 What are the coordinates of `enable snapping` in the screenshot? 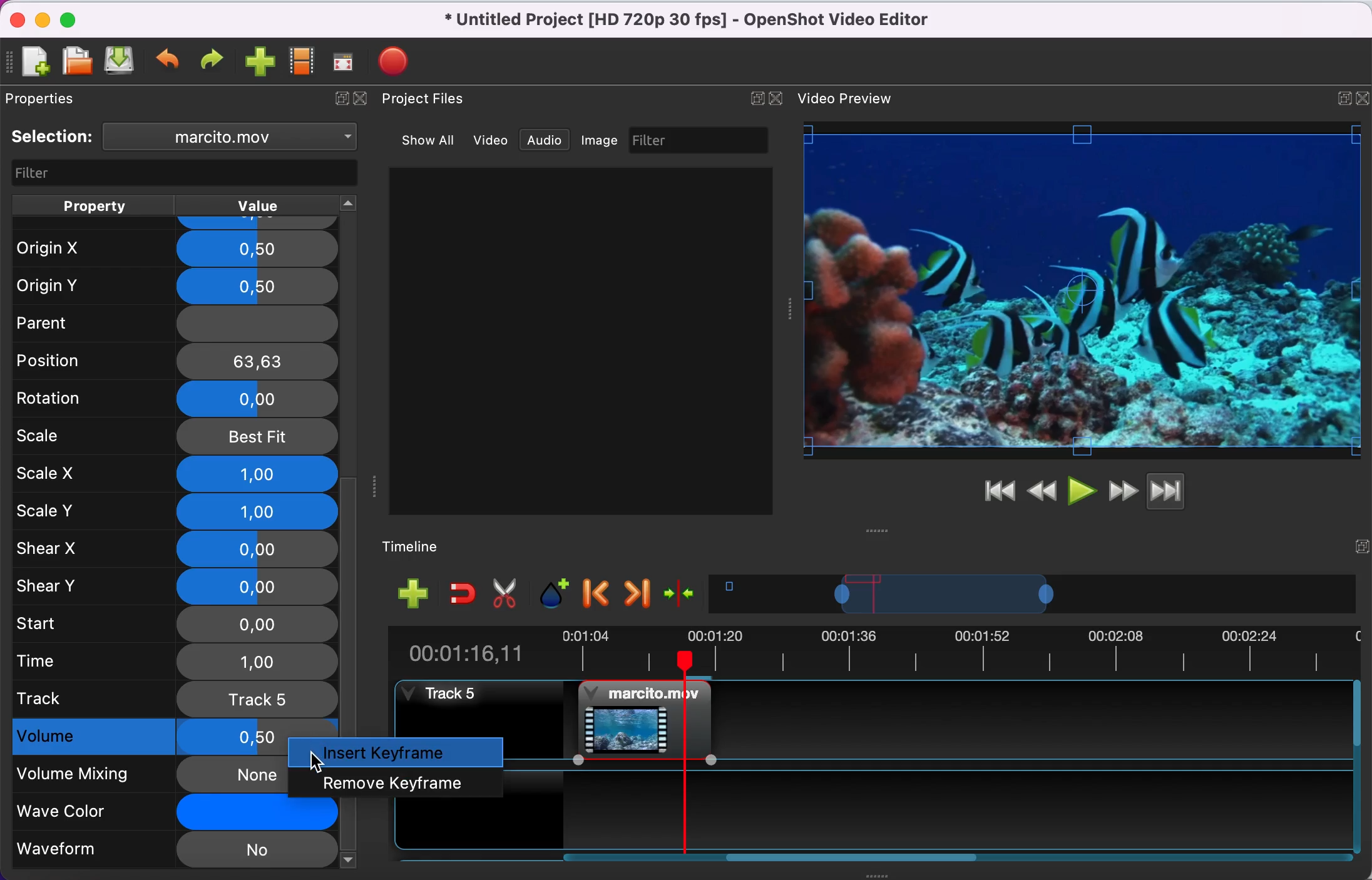 It's located at (459, 594).